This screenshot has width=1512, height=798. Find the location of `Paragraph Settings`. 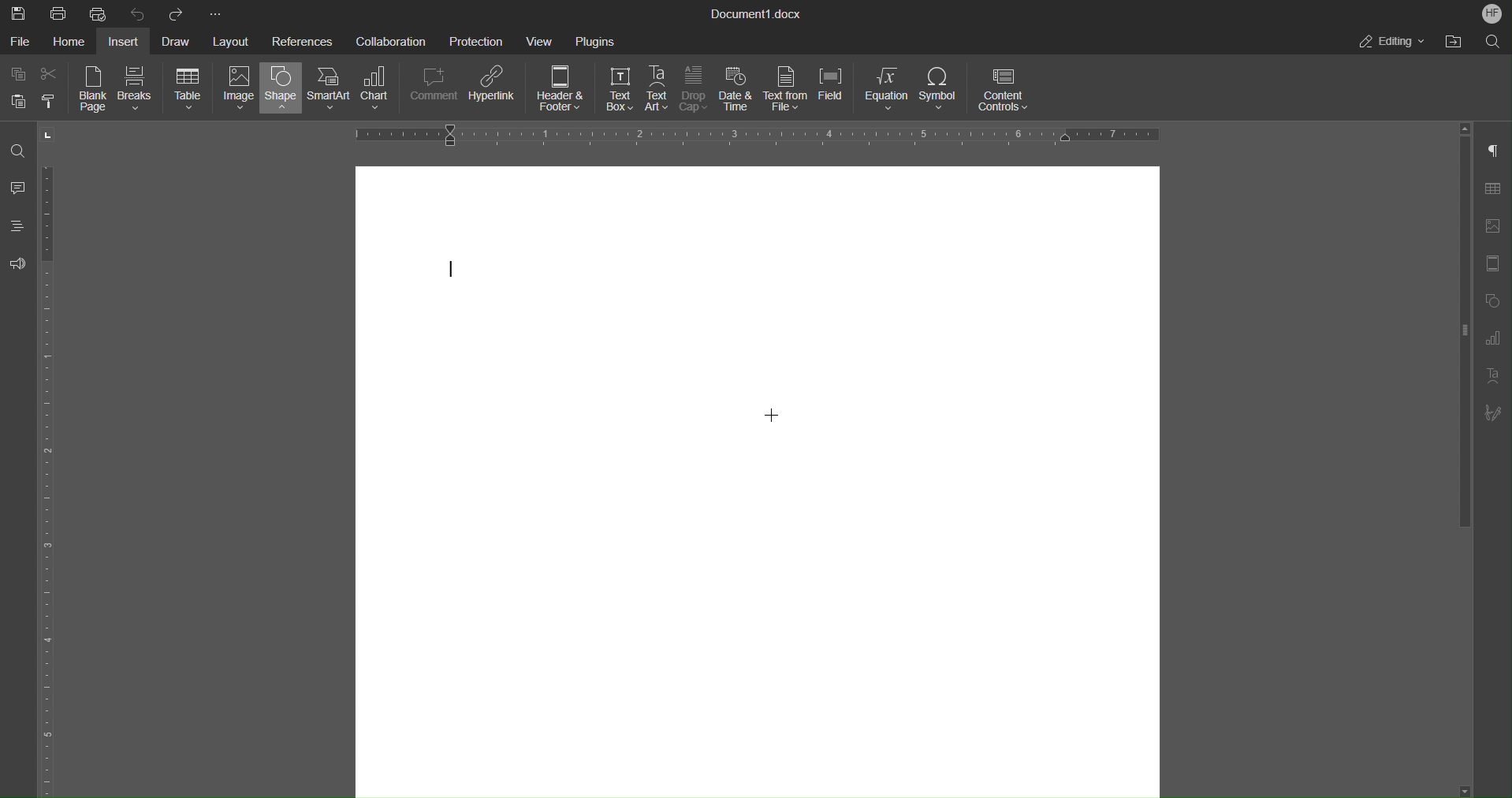

Paragraph Settings is located at coordinates (1498, 151).